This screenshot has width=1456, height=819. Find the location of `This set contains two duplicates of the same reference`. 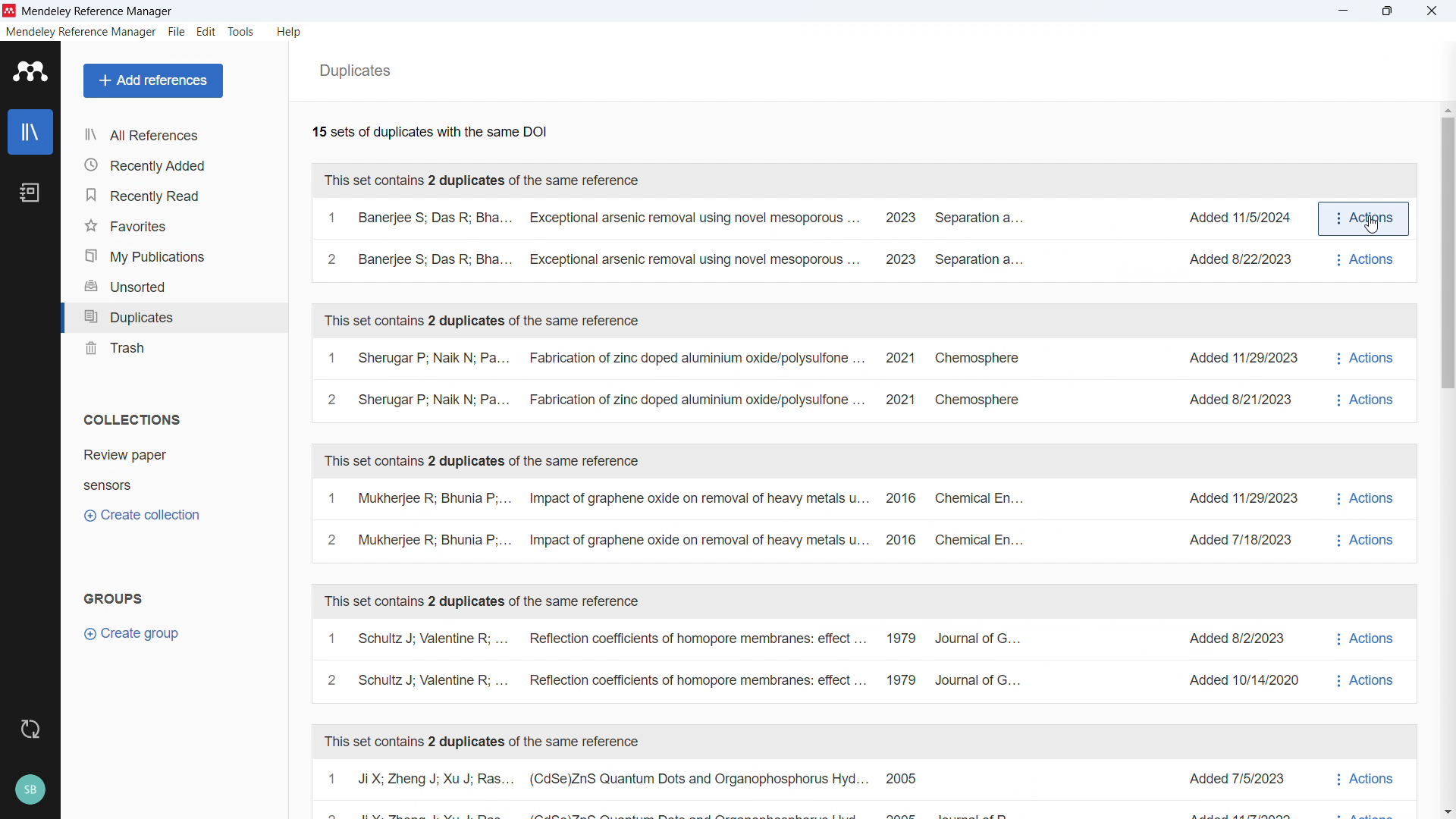

This set contains two duplicates of the same reference is located at coordinates (485, 602).